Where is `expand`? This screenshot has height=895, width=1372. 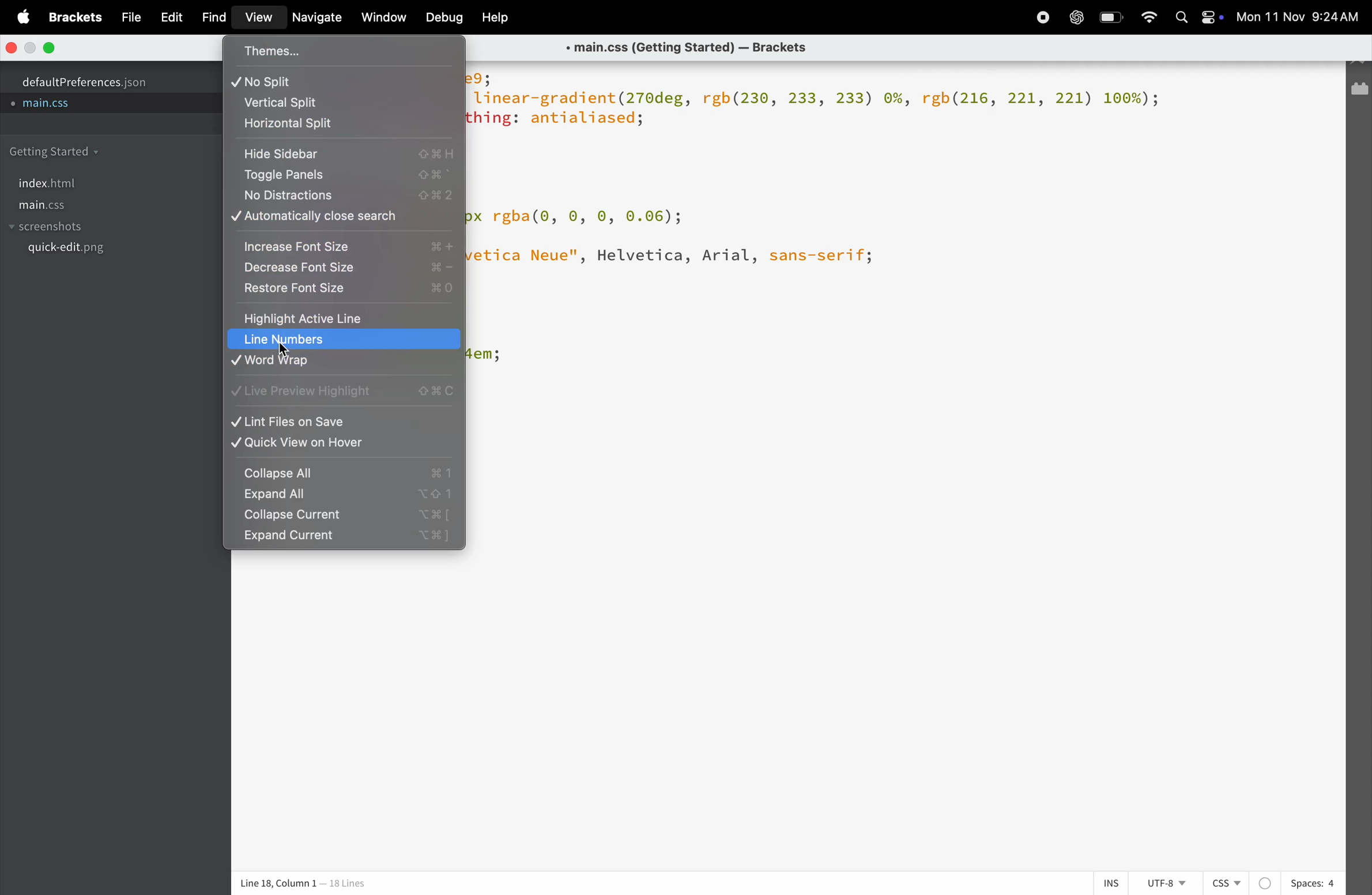
expand is located at coordinates (342, 497).